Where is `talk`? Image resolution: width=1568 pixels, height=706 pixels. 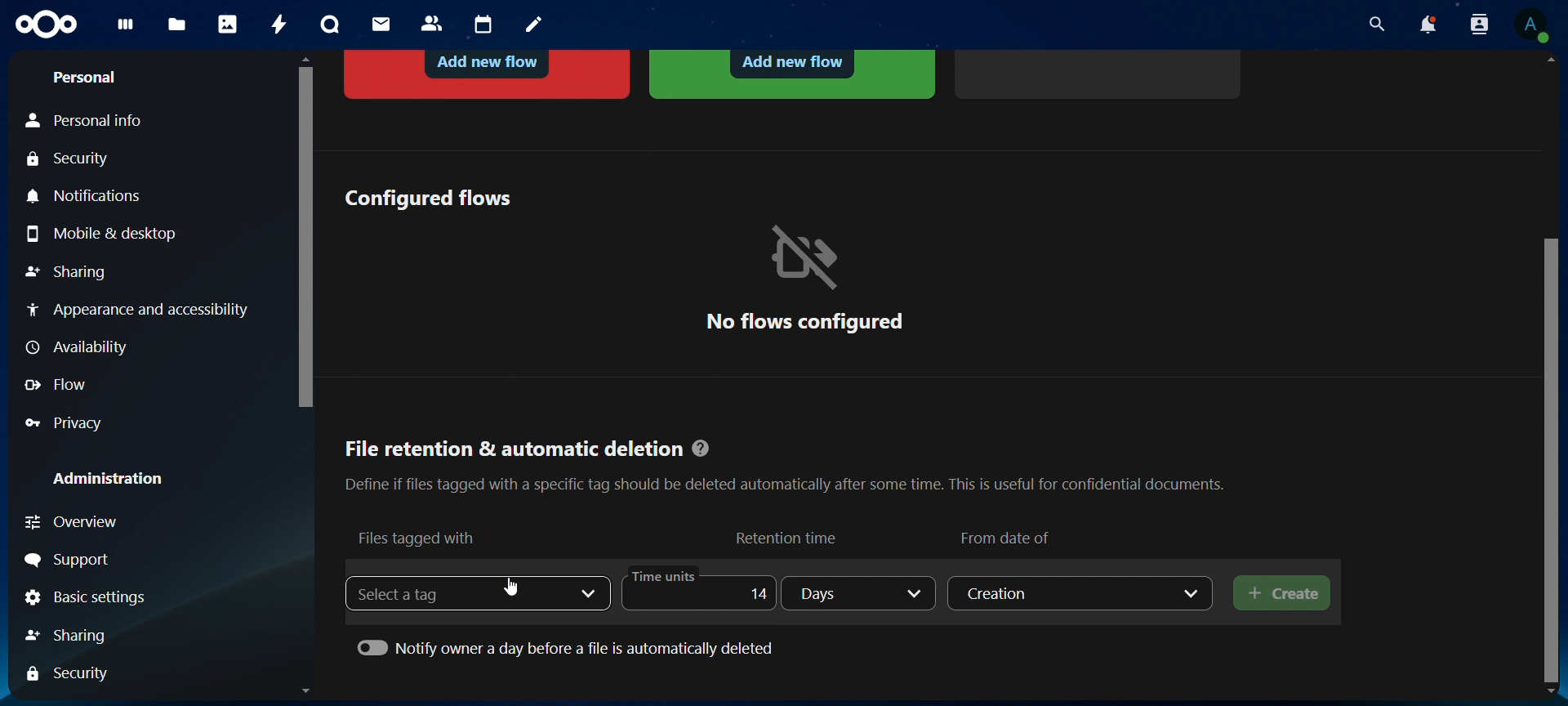 talk is located at coordinates (330, 25).